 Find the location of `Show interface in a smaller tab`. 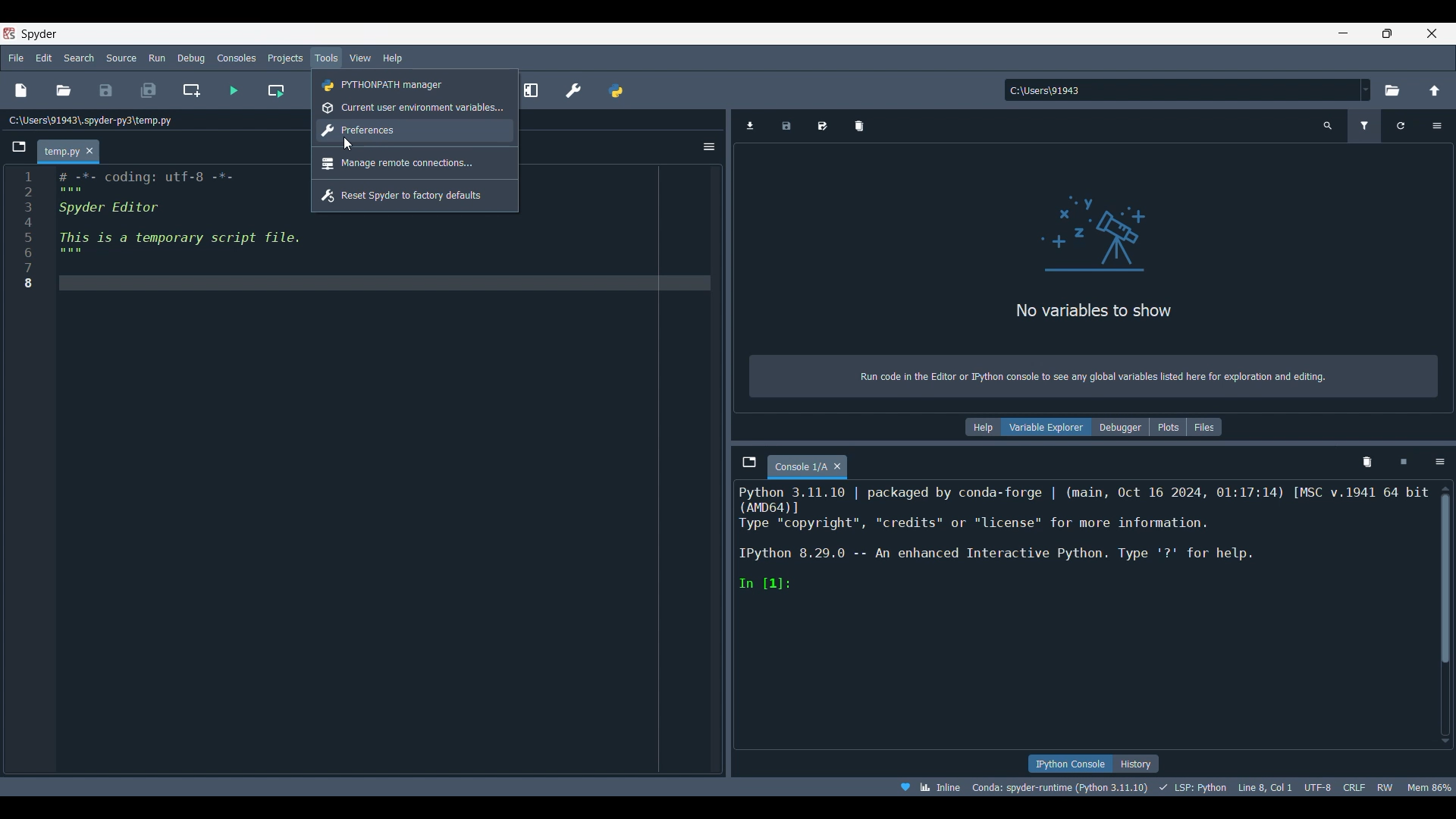

Show interface in a smaller tab is located at coordinates (1387, 33).